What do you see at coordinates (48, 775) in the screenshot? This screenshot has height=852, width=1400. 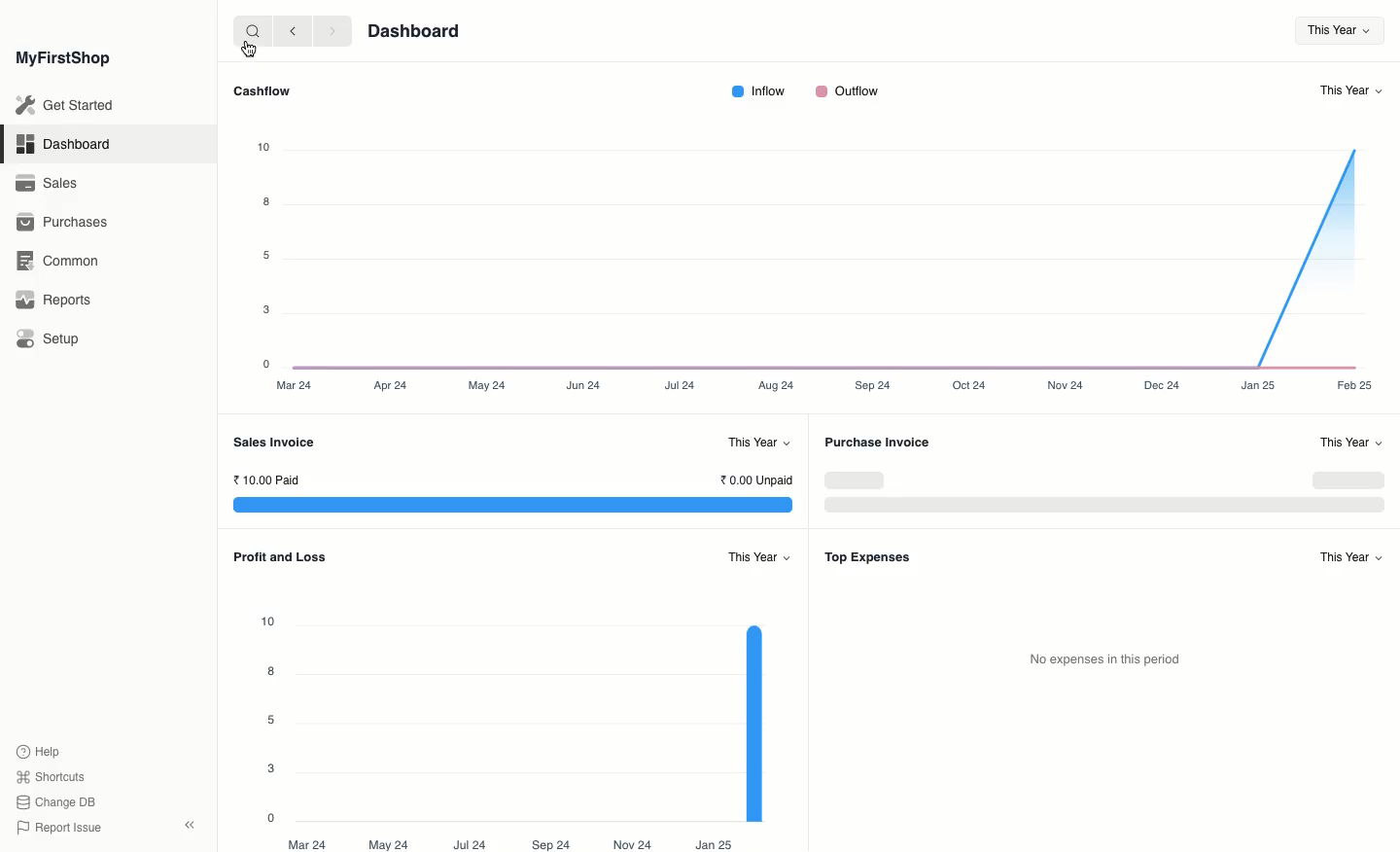 I see `Shortcuts` at bounding box center [48, 775].